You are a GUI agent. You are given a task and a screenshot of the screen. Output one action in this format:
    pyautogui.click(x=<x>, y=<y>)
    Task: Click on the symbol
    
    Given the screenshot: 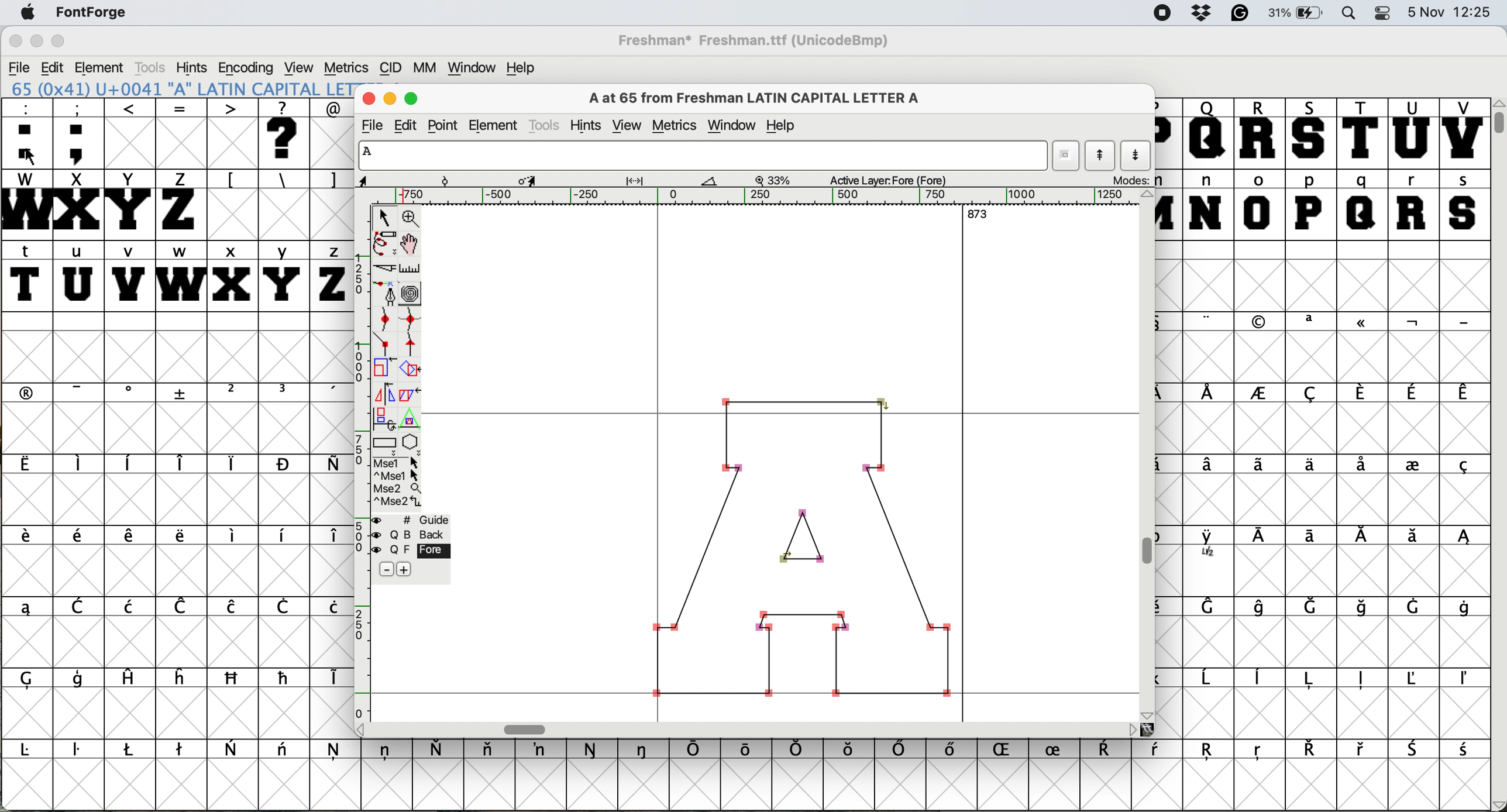 What is the action you would take?
    pyautogui.click(x=1110, y=750)
    